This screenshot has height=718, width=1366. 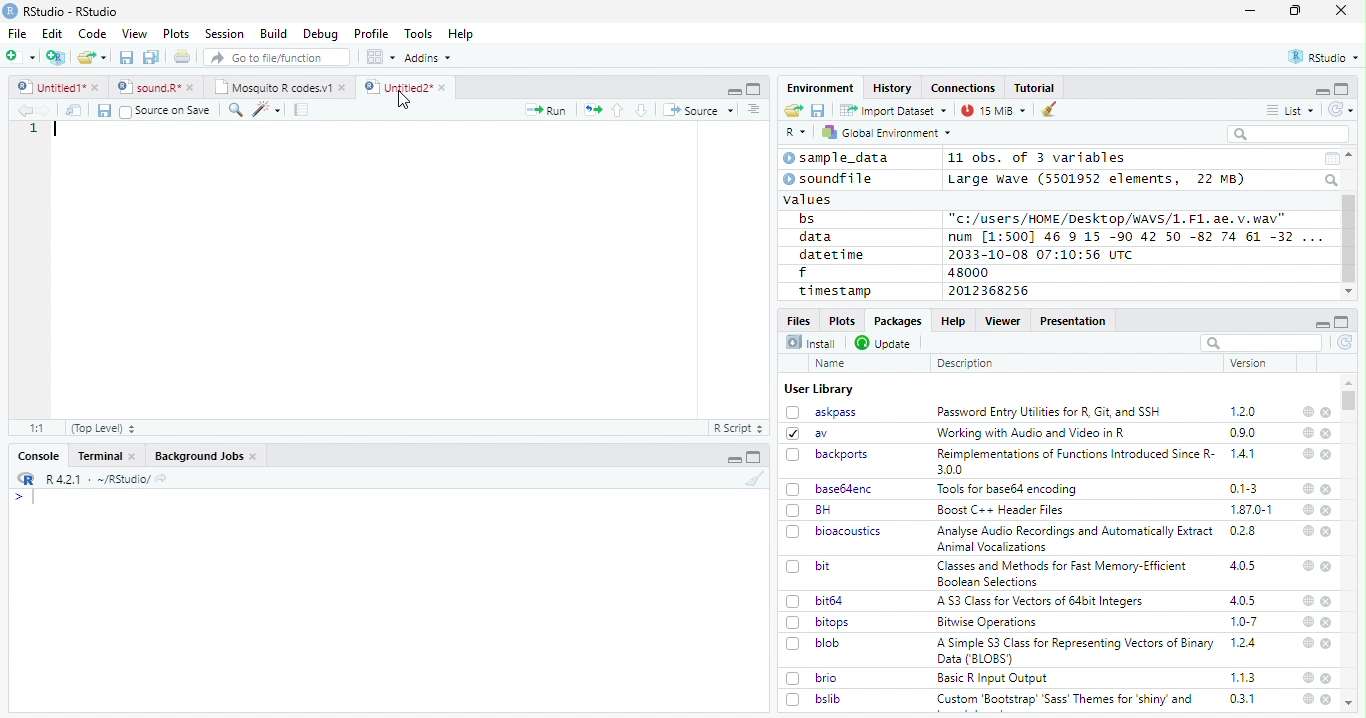 I want to click on Environment, so click(x=821, y=87).